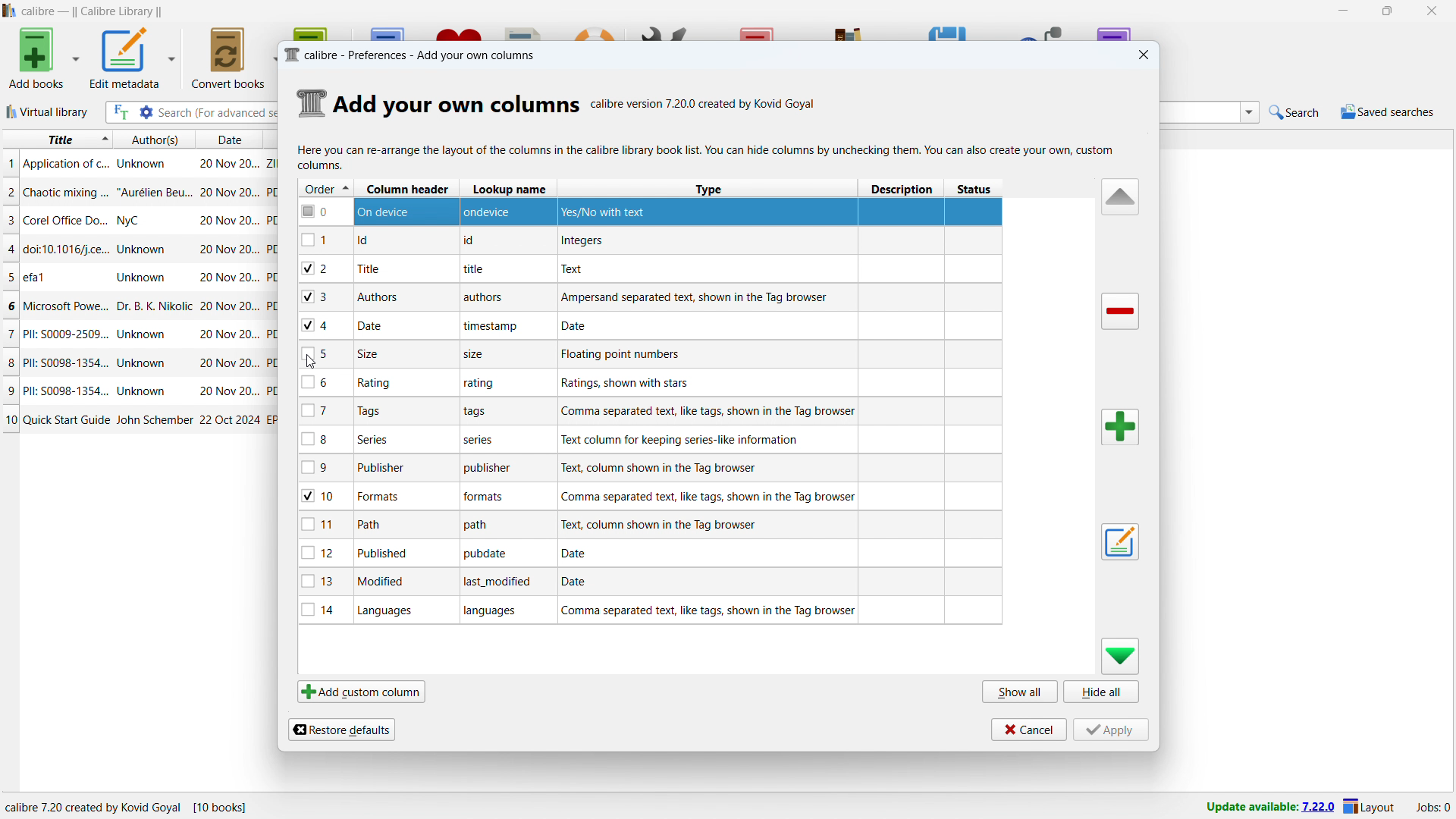 Image resolution: width=1456 pixels, height=819 pixels. What do you see at coordinates (391, 610) in the screenshot?
I see `languages` at bounding box center [391, 610].